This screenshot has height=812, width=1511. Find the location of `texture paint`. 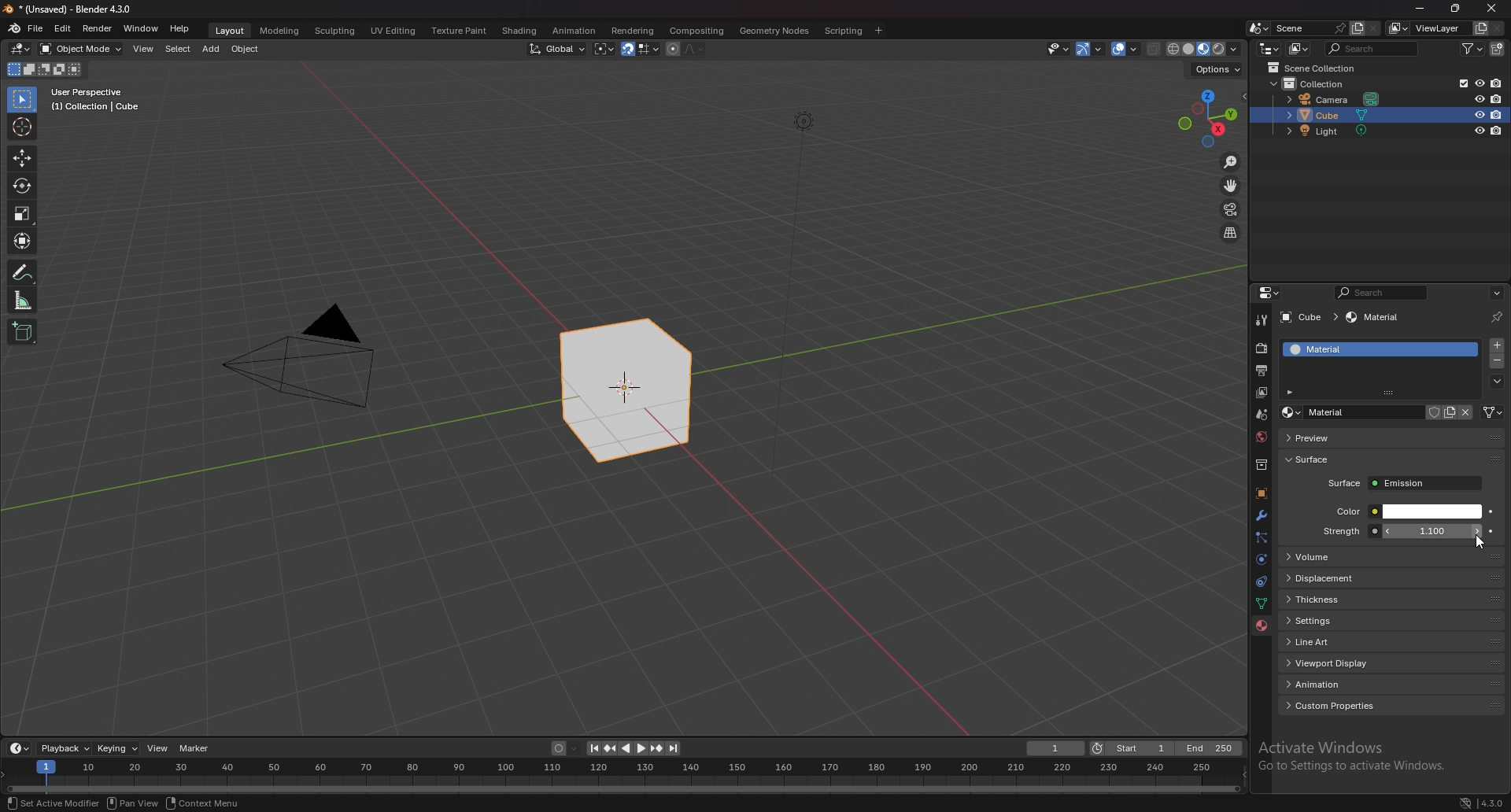

texture paint is located at coordinates (457, 31).